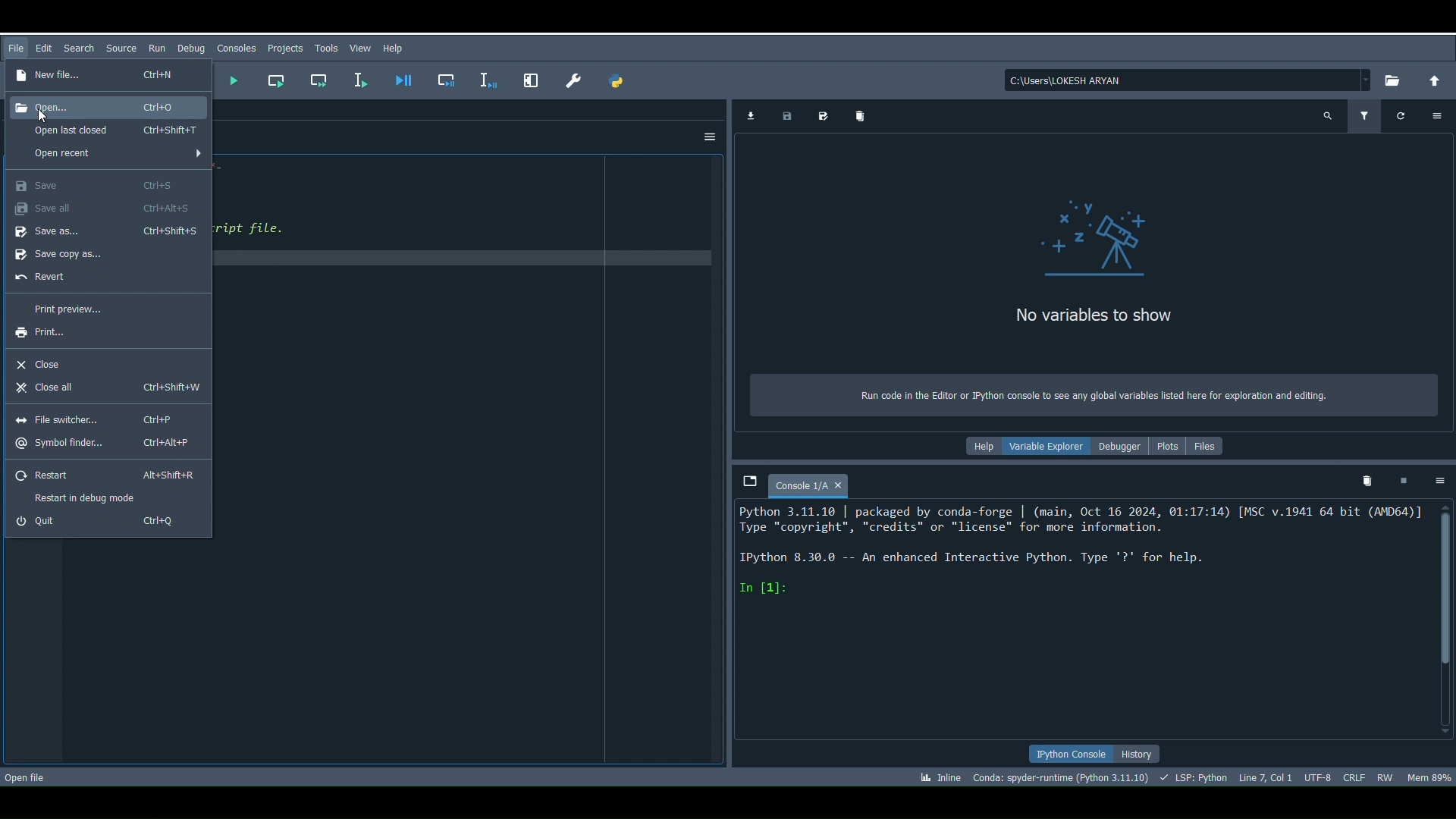  What do you see at coordinates (286, 49) in the screenshot?
I see `Projects` at bounding box center [286, 49].